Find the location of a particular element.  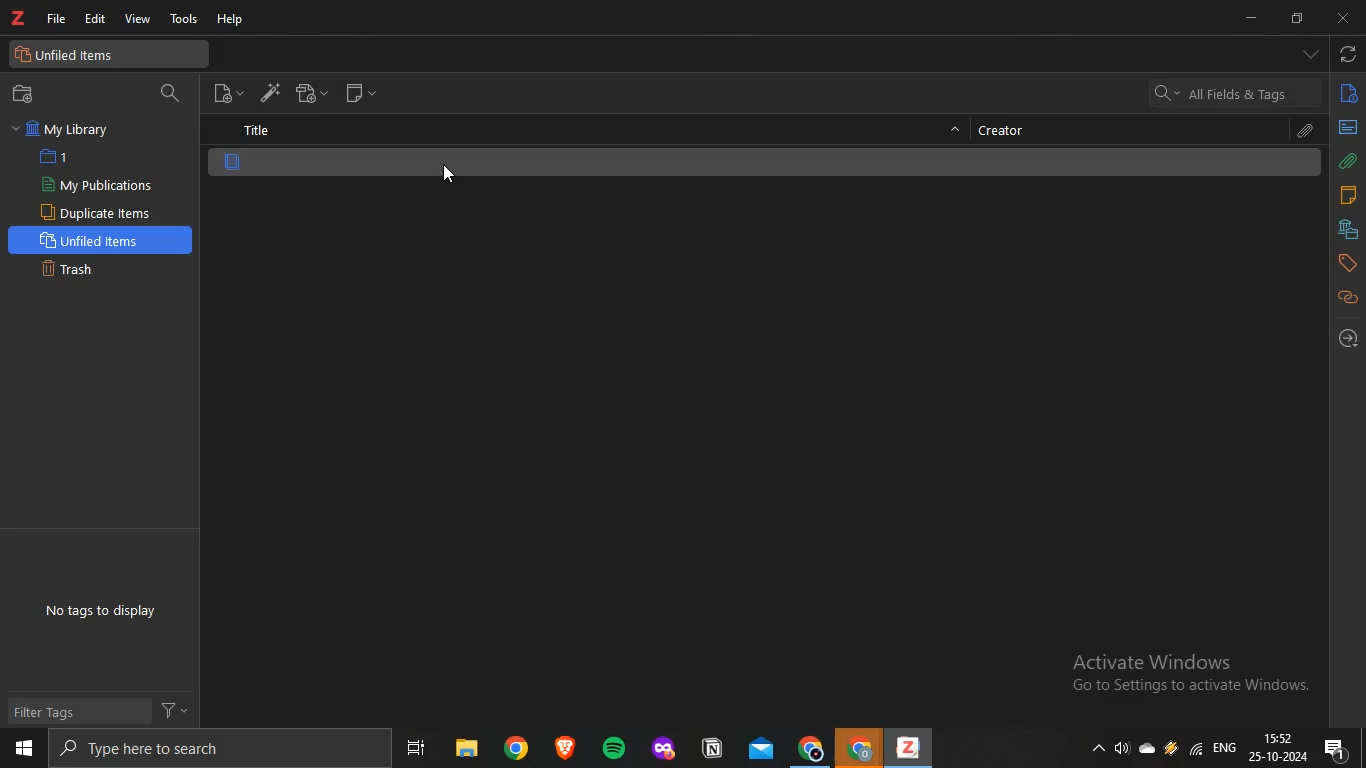

1 is located at coordinates (58, 157).